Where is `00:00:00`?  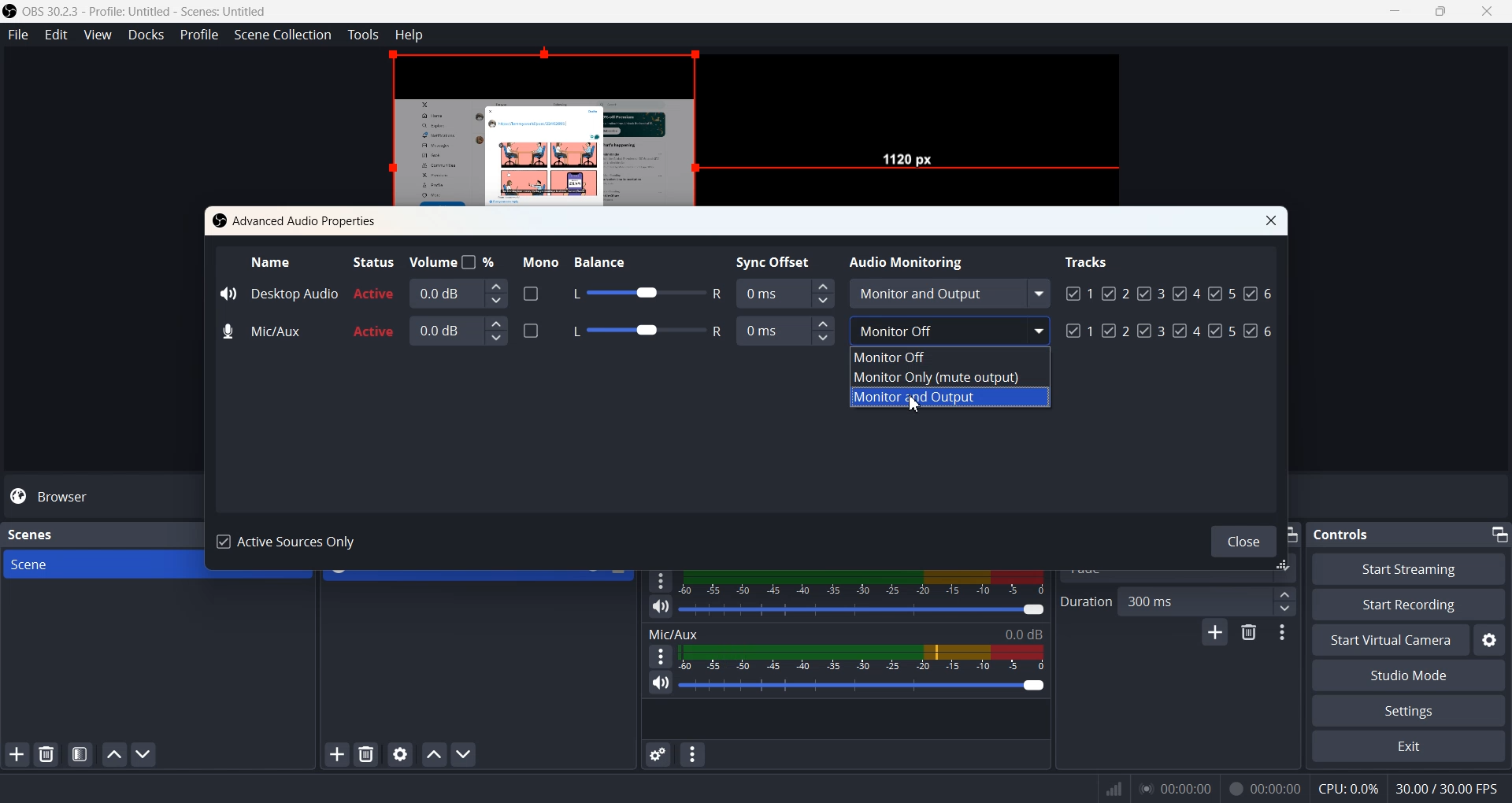
00:00:00 is located at coordinates (1266, 786).